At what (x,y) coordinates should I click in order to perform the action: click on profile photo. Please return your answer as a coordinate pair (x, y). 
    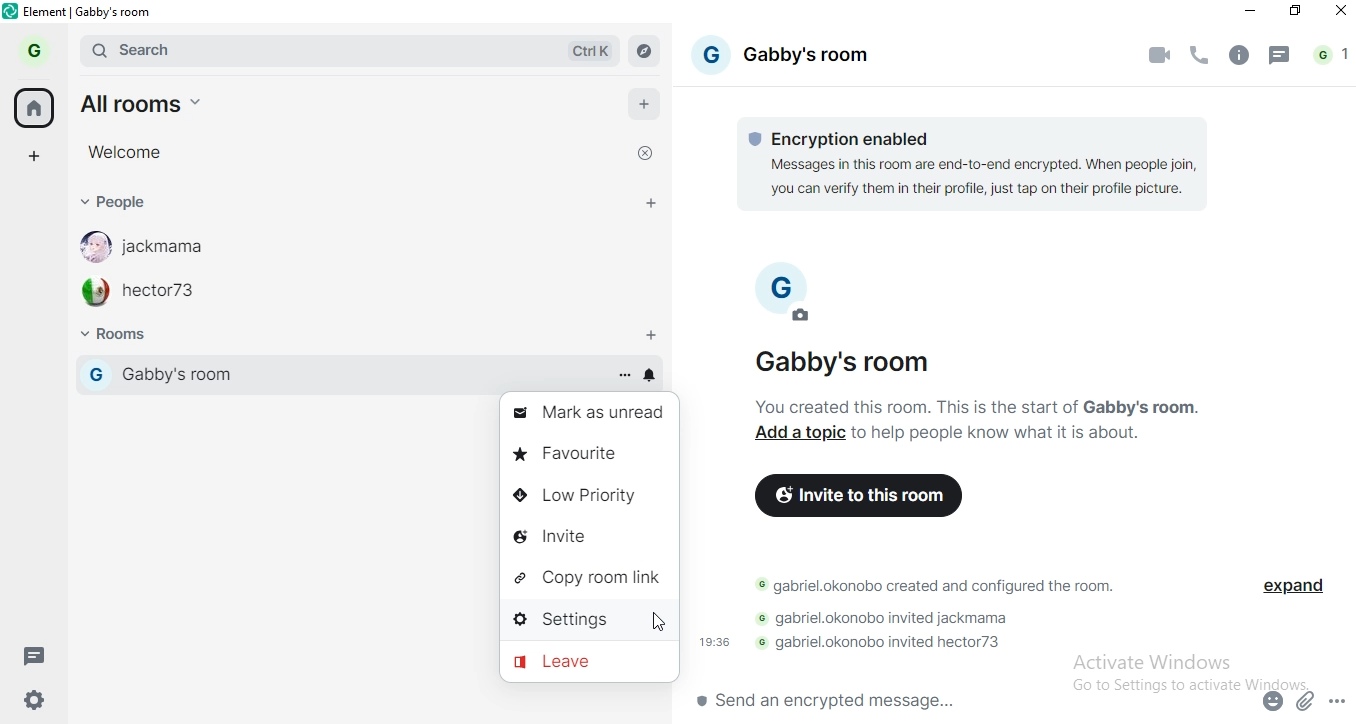
    Looking at the image, I should click on (792, 299).